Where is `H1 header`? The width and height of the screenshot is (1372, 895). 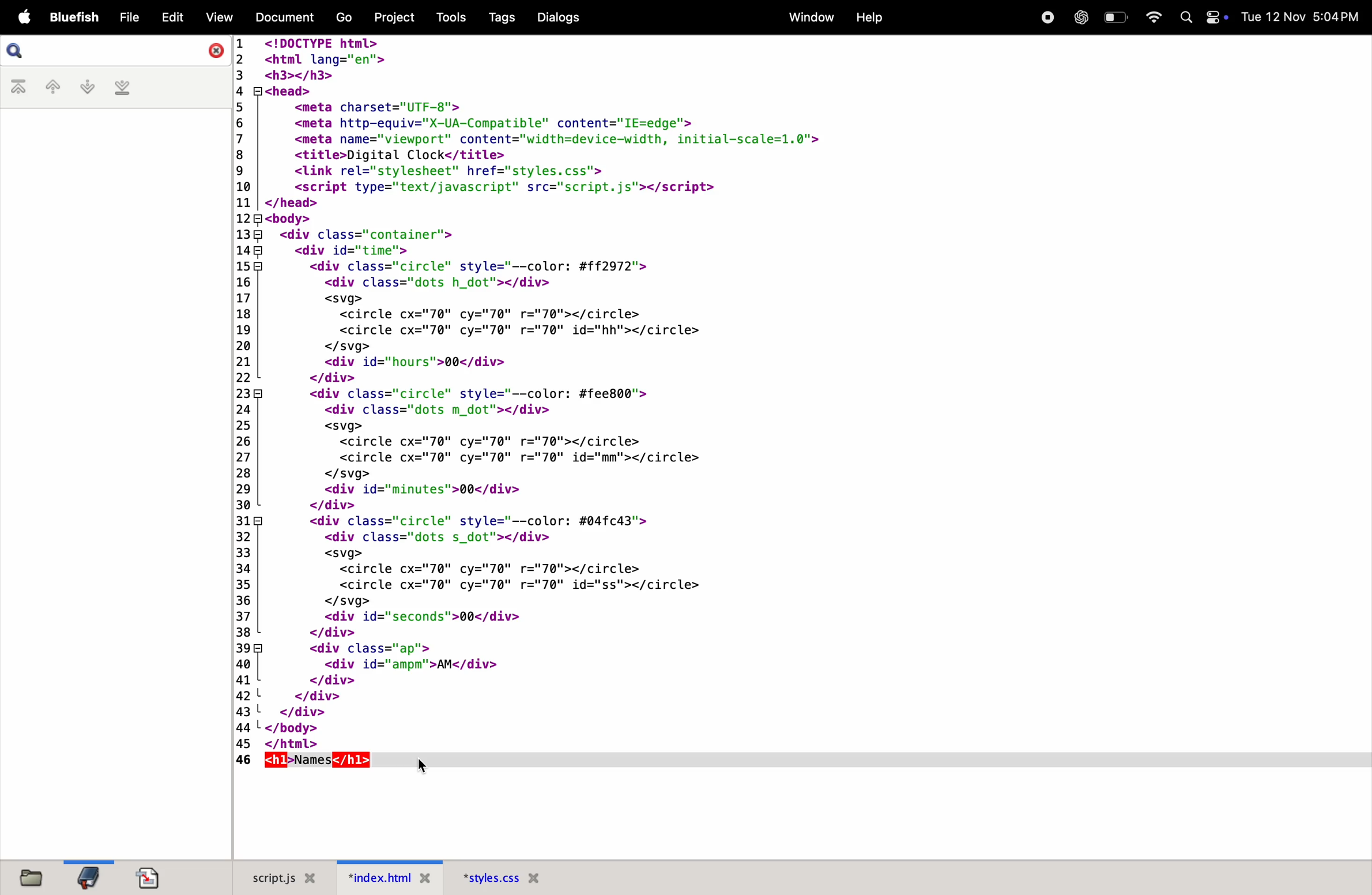
H1 header is located at coordinates (311, 761).